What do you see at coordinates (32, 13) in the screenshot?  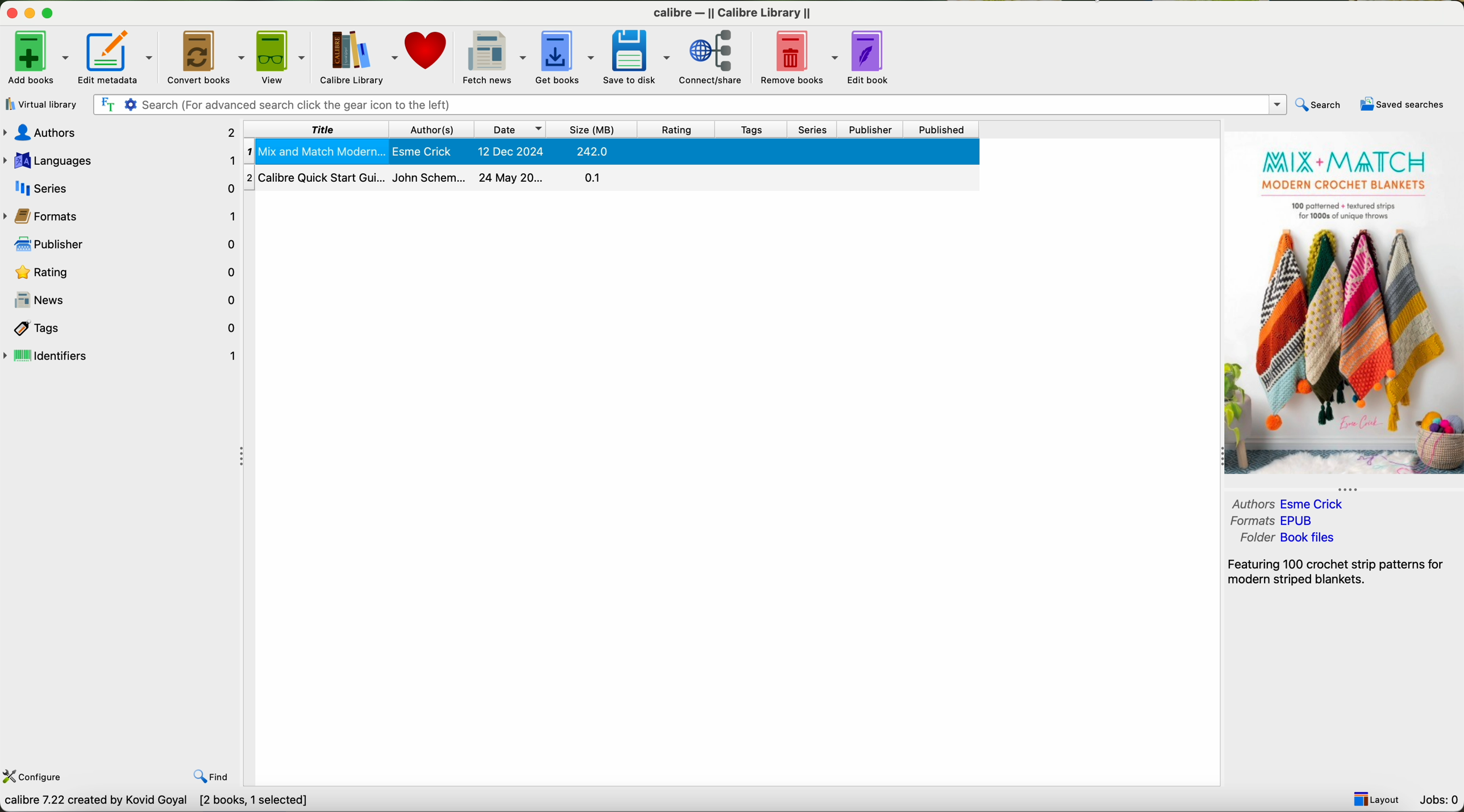 I see `minimize program` at bounding box center [32, 13].